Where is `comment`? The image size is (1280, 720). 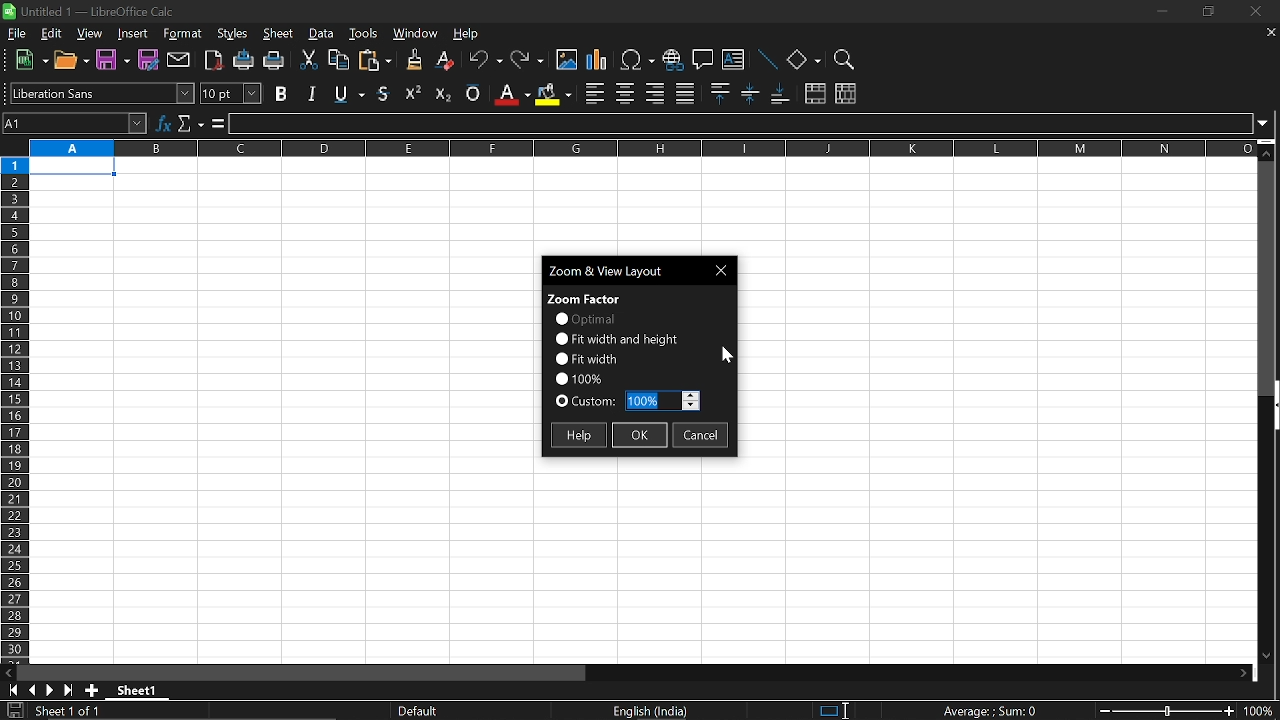
comment is located at coordinates (703, 62).